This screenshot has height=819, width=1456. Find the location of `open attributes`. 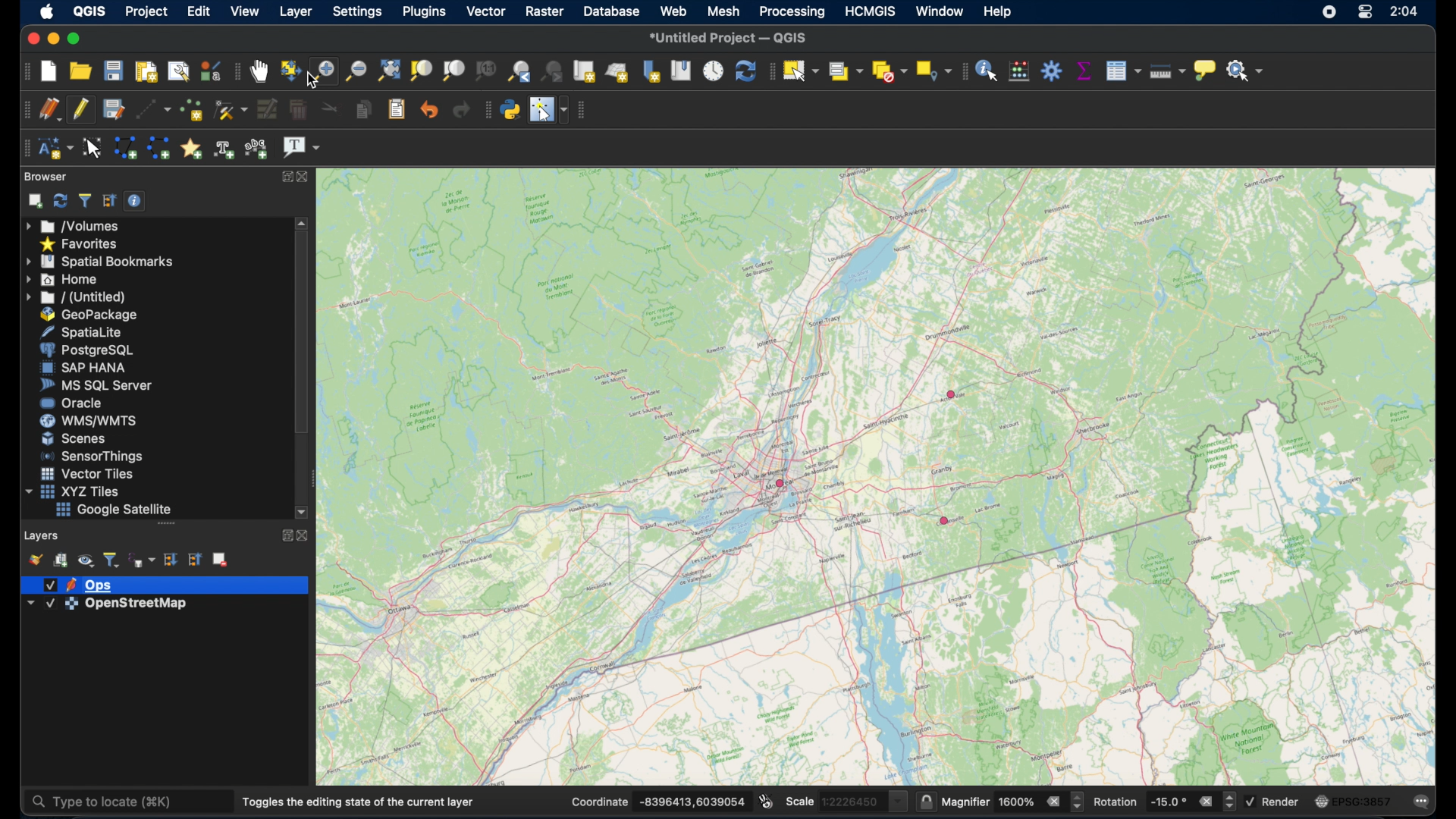

open attributes is located at coordinates (1122, 71).